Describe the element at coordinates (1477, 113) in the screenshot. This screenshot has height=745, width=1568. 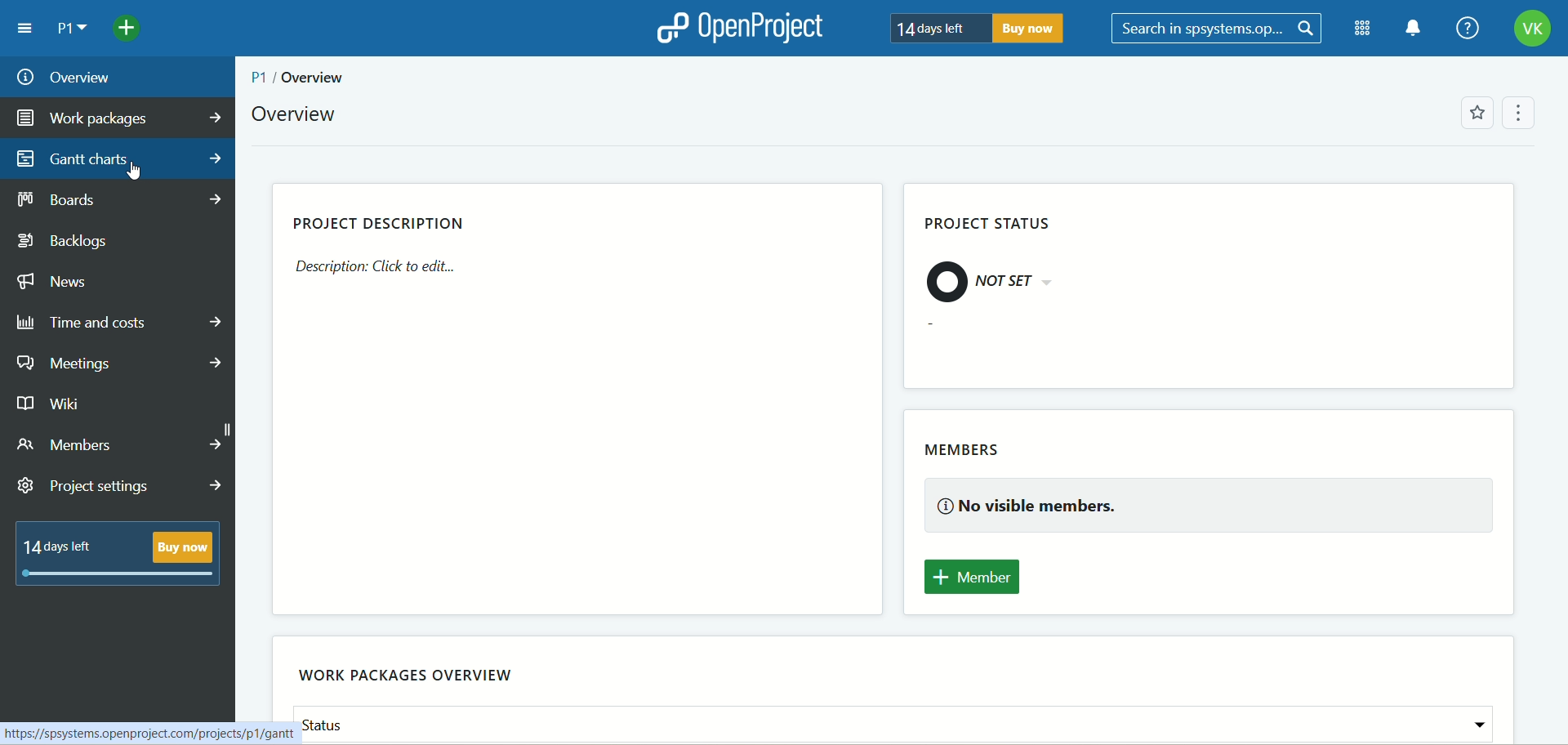
I see `favorite` at that location.